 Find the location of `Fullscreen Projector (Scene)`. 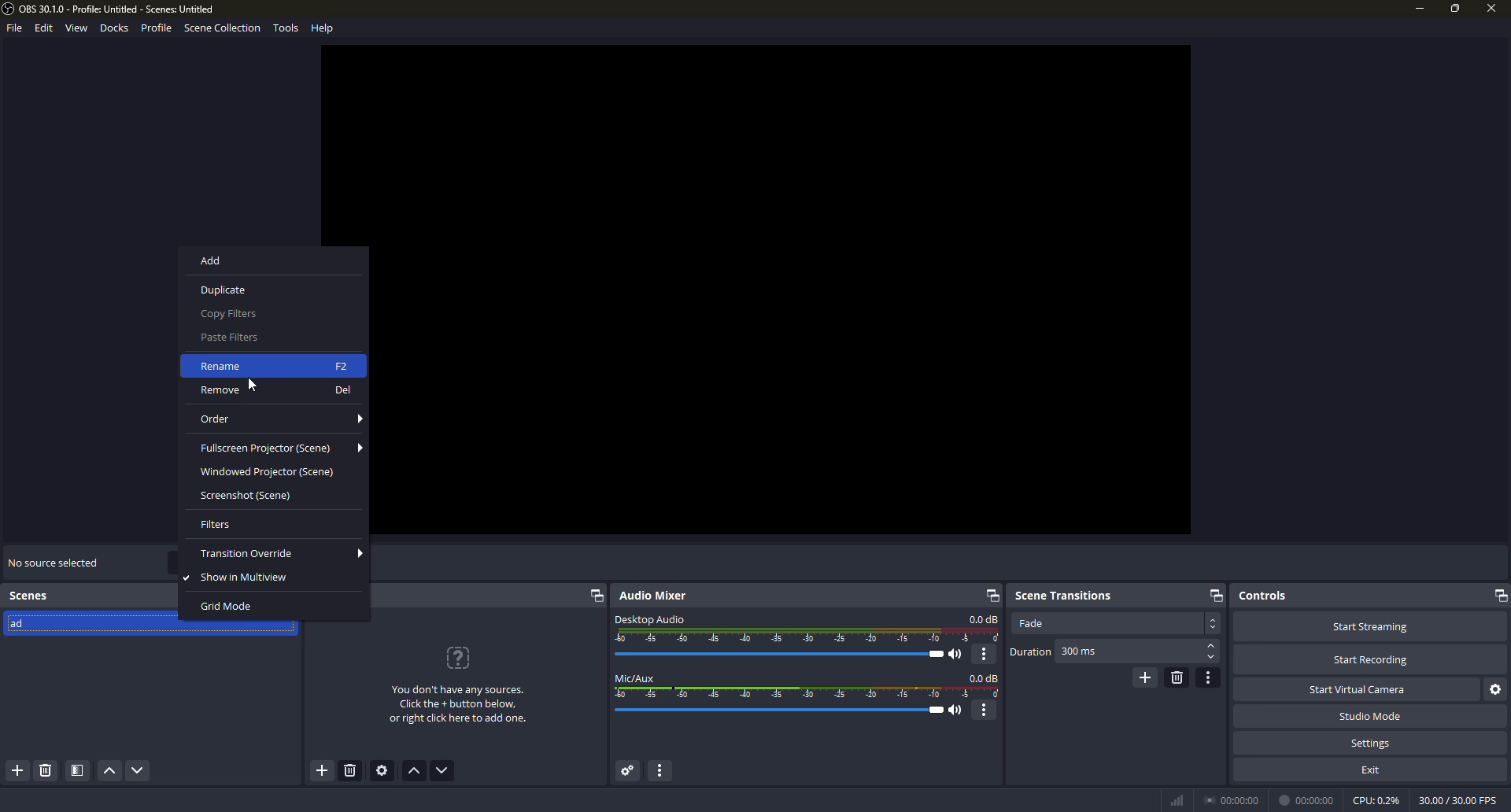

Fullscreen Projector (Scene) is located at coordinates (279, 448).